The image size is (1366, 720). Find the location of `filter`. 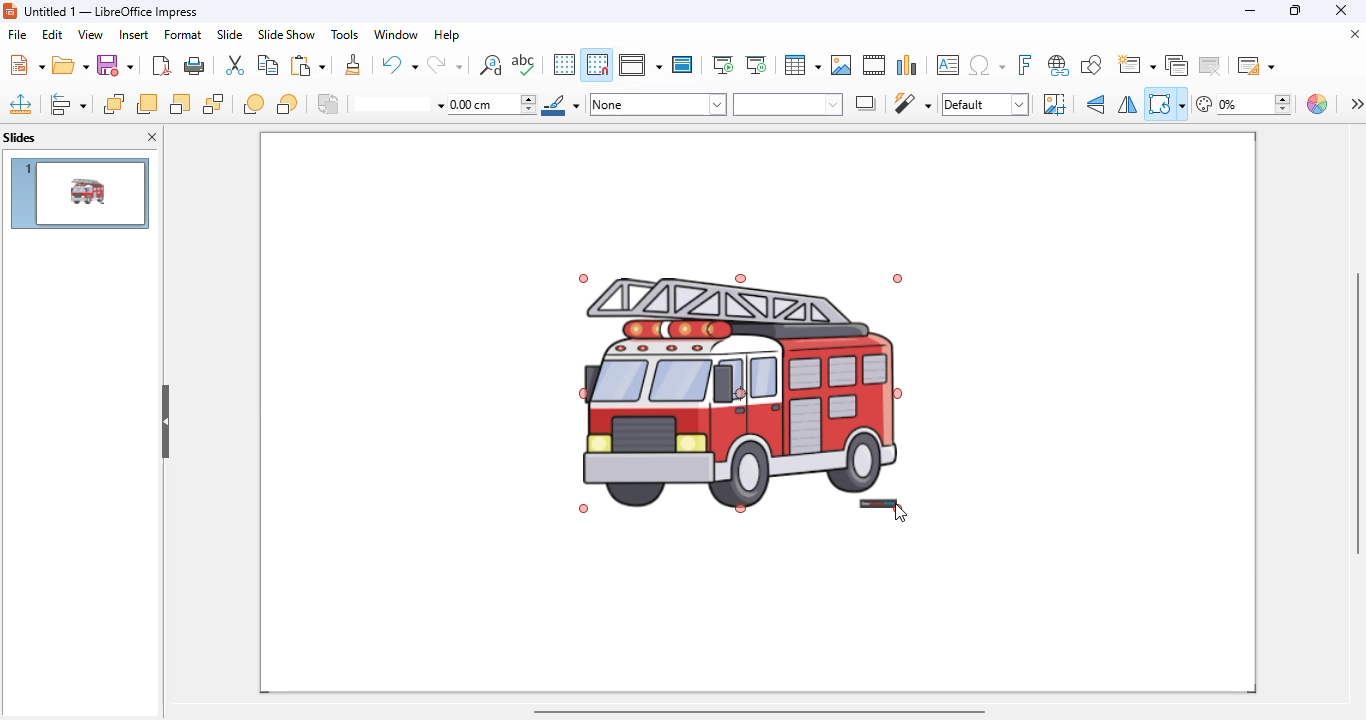

filter is located at coordinates (912, 103).